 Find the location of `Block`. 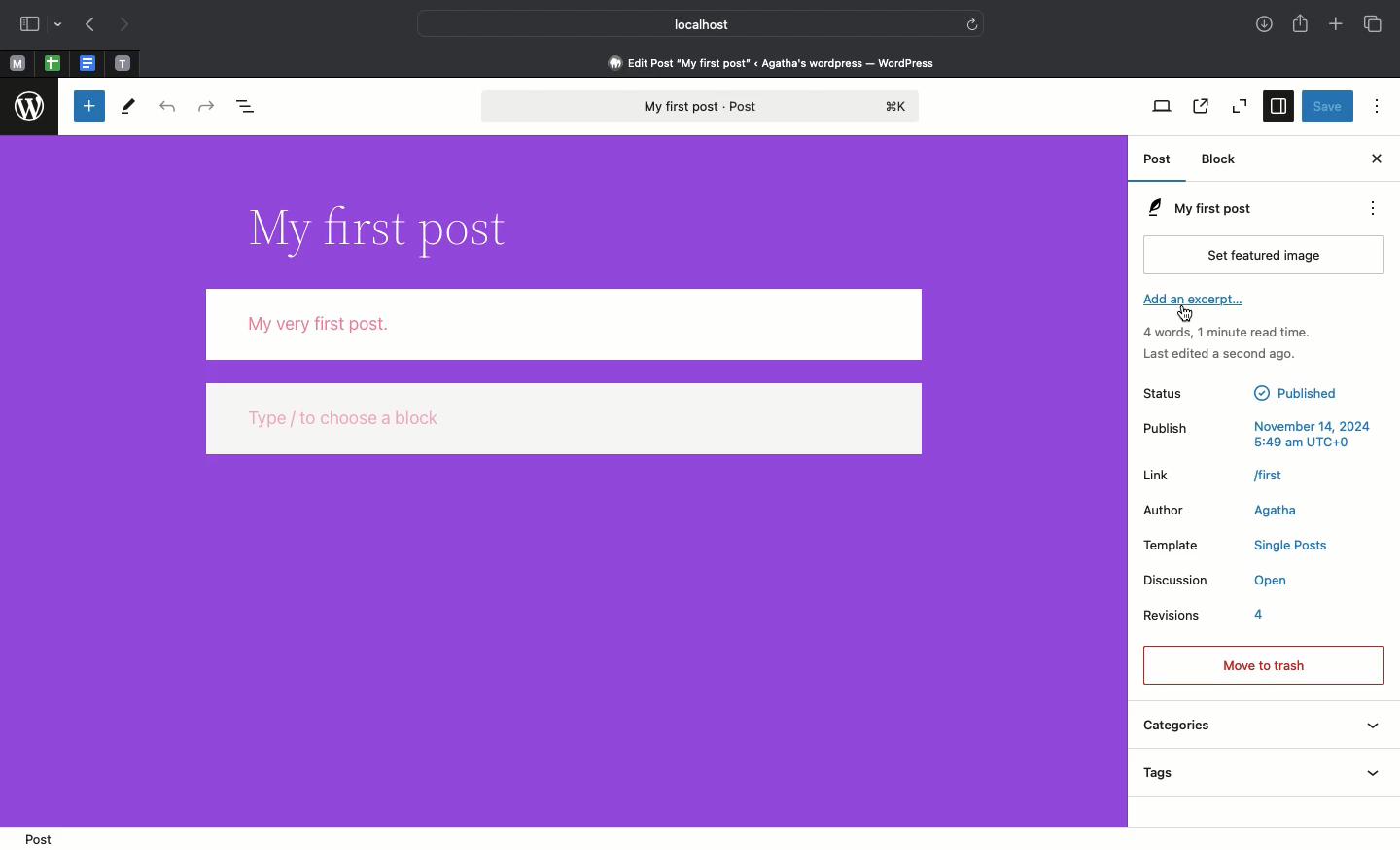

Block is located at coordinates (1224, 159).